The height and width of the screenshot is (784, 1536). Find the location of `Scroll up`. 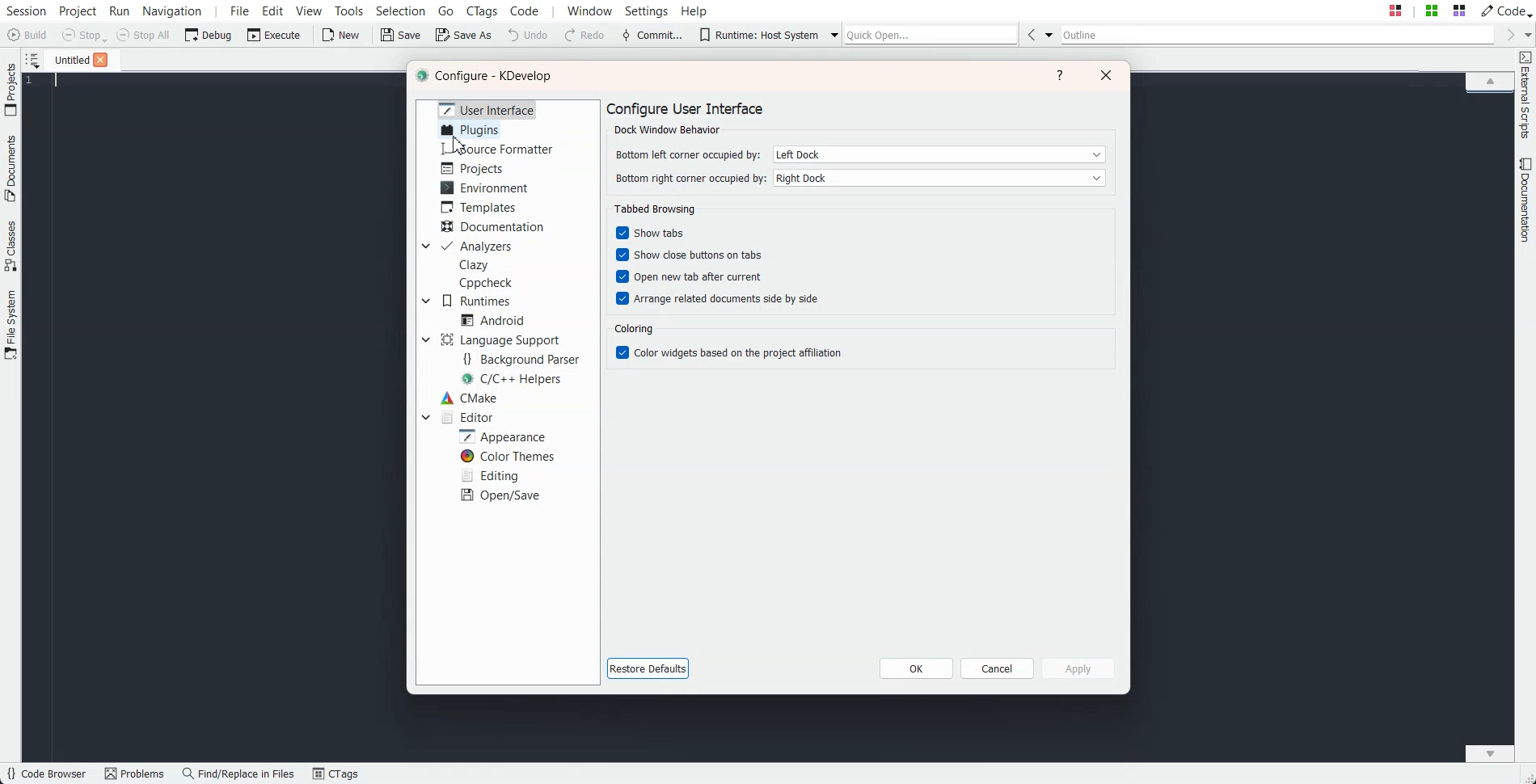

Scroll up is located at coordinates (1490, 80).